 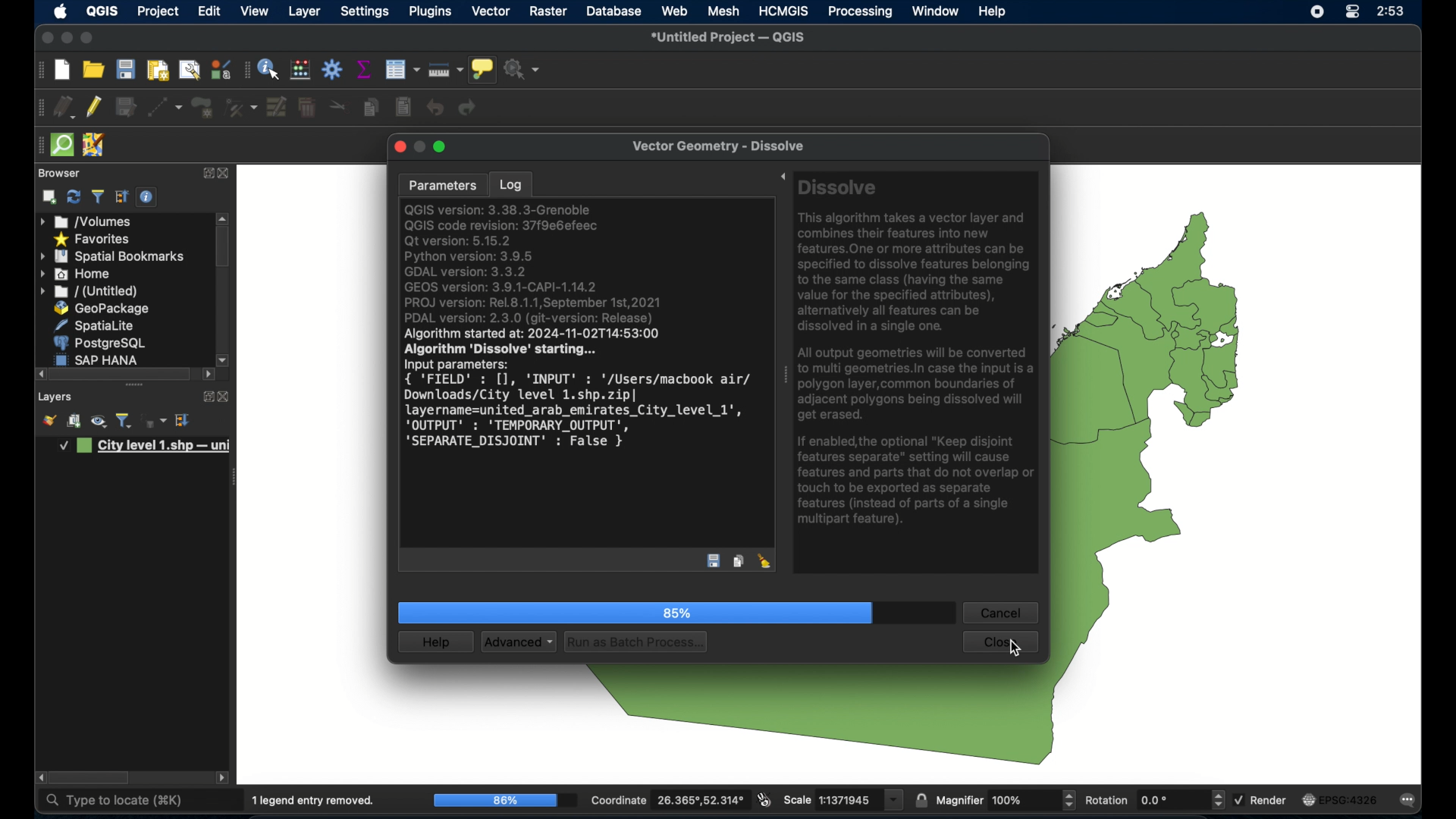 I want to click on time, so click(x=1392, y=12).